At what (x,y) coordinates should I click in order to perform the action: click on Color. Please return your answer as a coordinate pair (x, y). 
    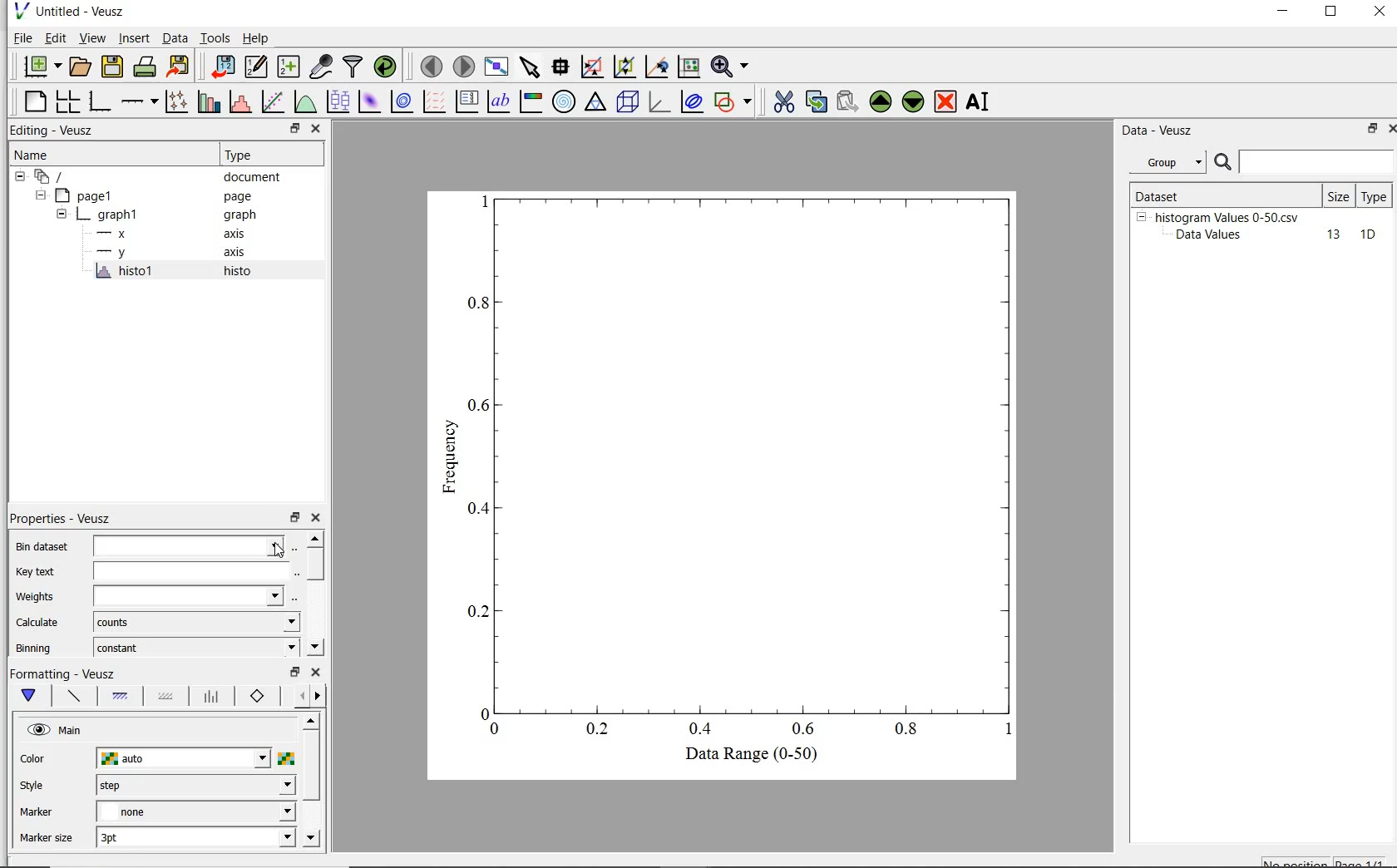
    Looking at the image, I should click on (34, 760).